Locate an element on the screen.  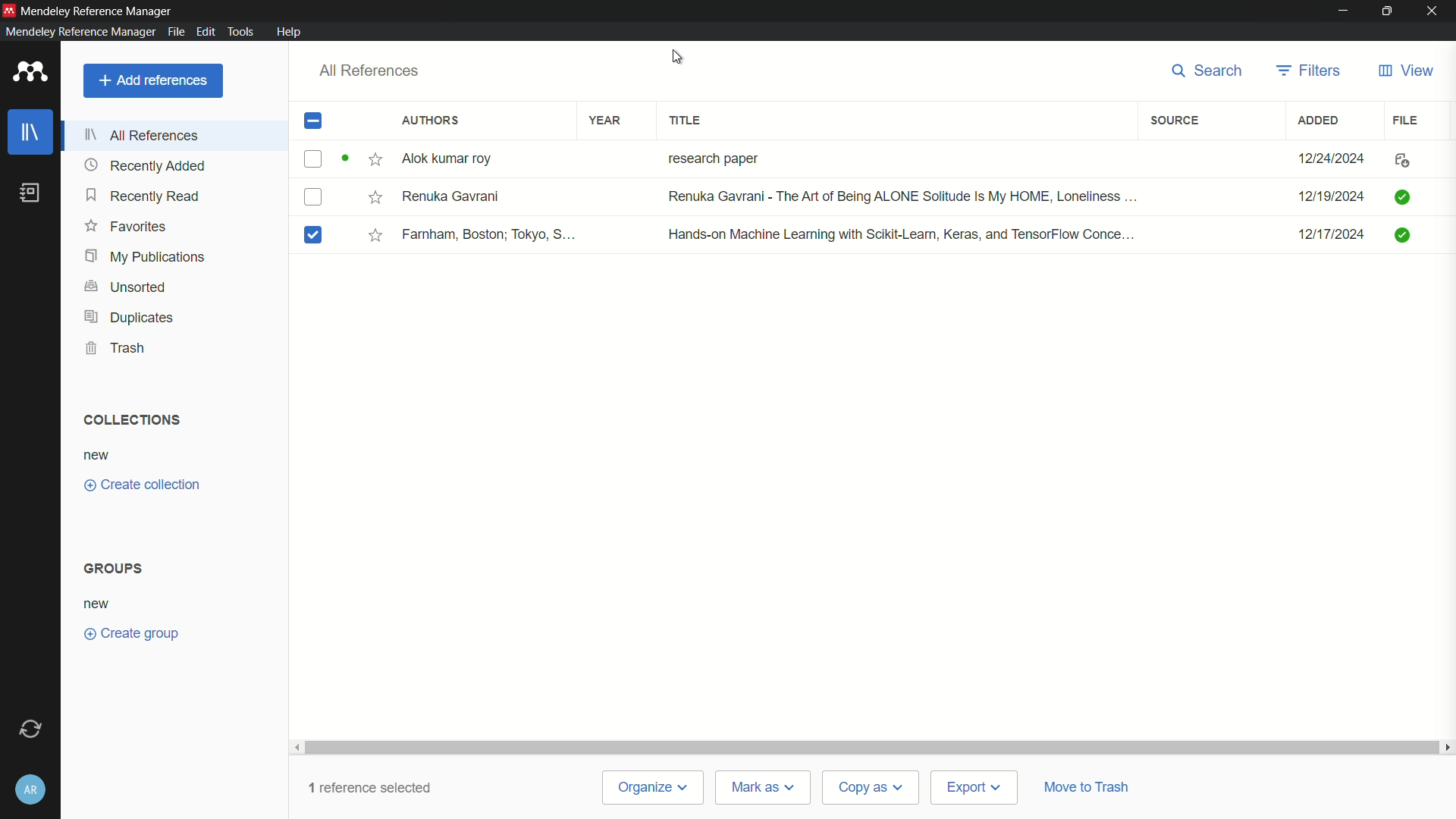
Alok kumar roy research paper is located at coordinates (589, 160).